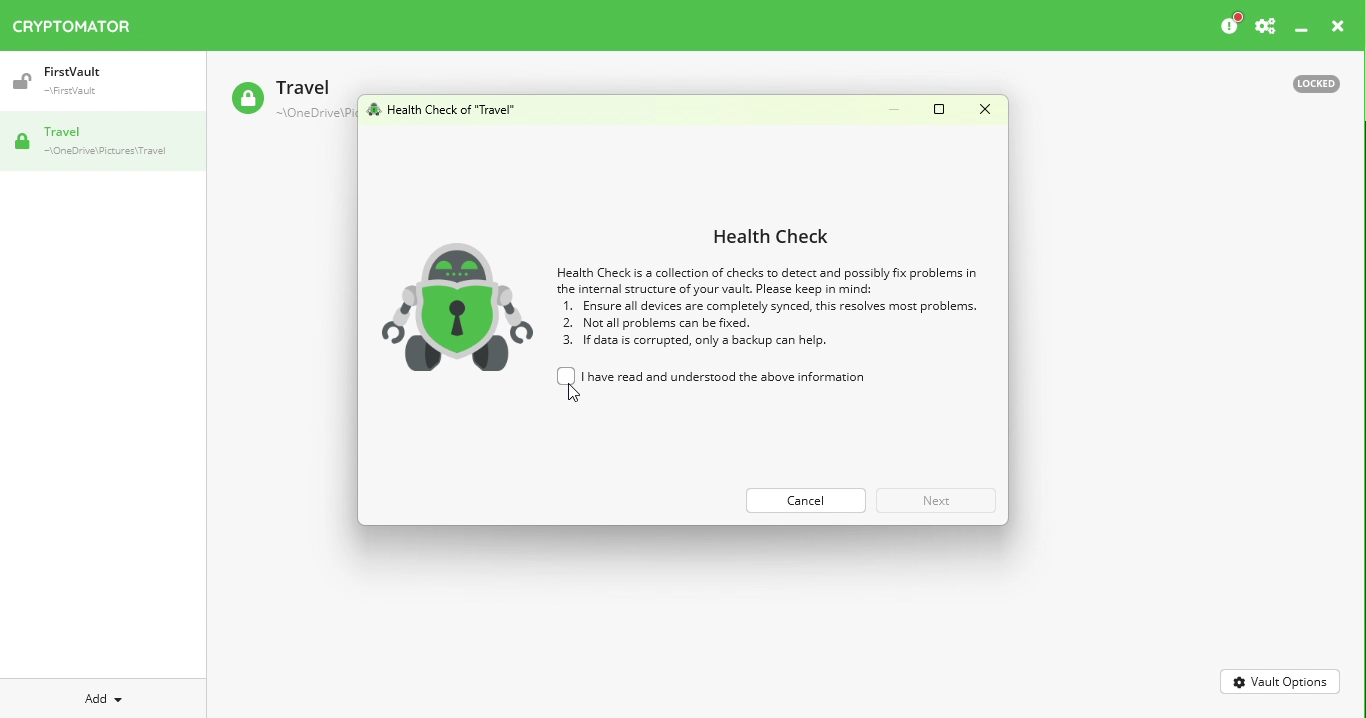 The width and height of the screenshot is (1366, 718). What do you see at coordinates (982, 109) in the screenshot?
I see `Close` at bounding box center [982, 109].